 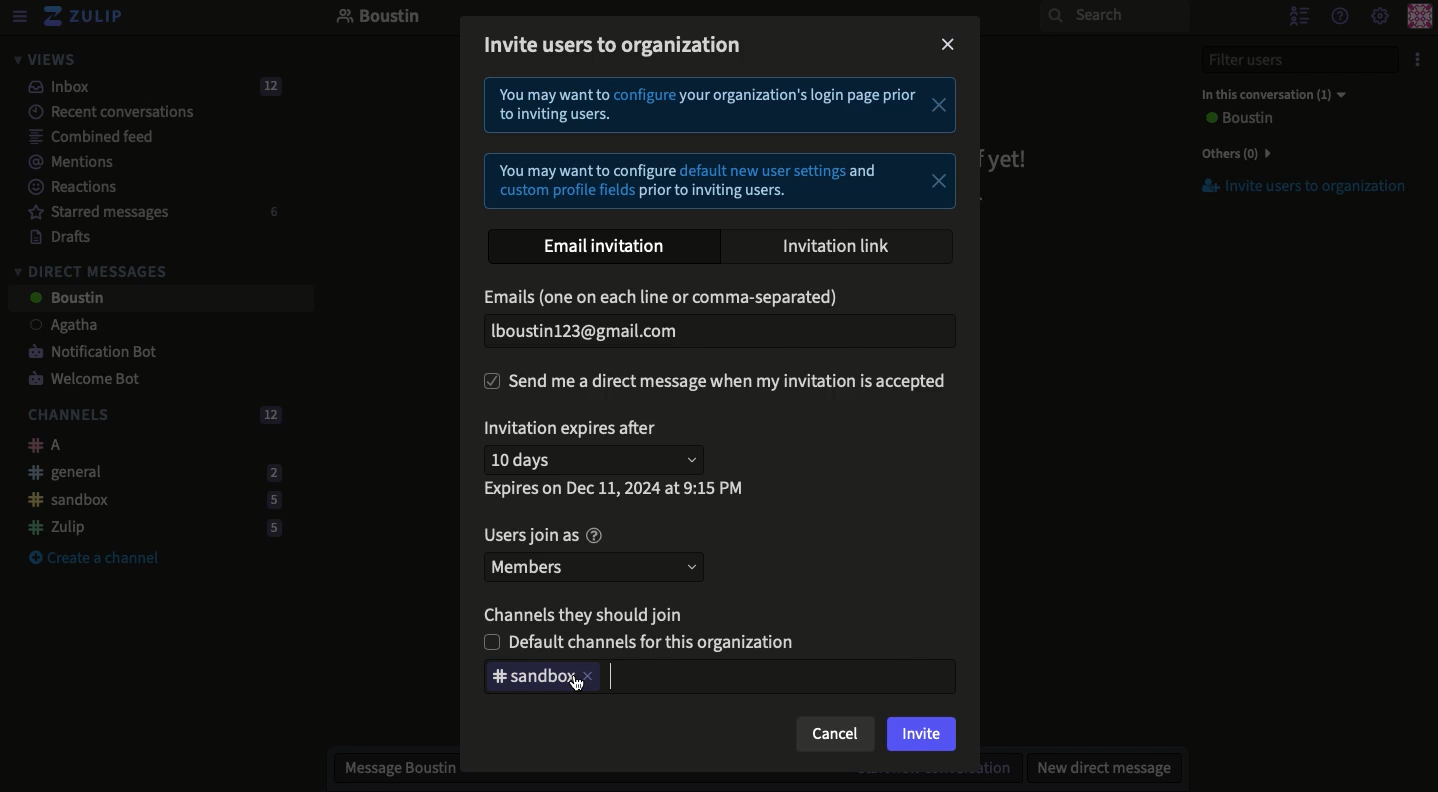 What do you see at coordinates (542, 536) in the screenshot?
I see `Users join as` at bounding box center [542, 536].